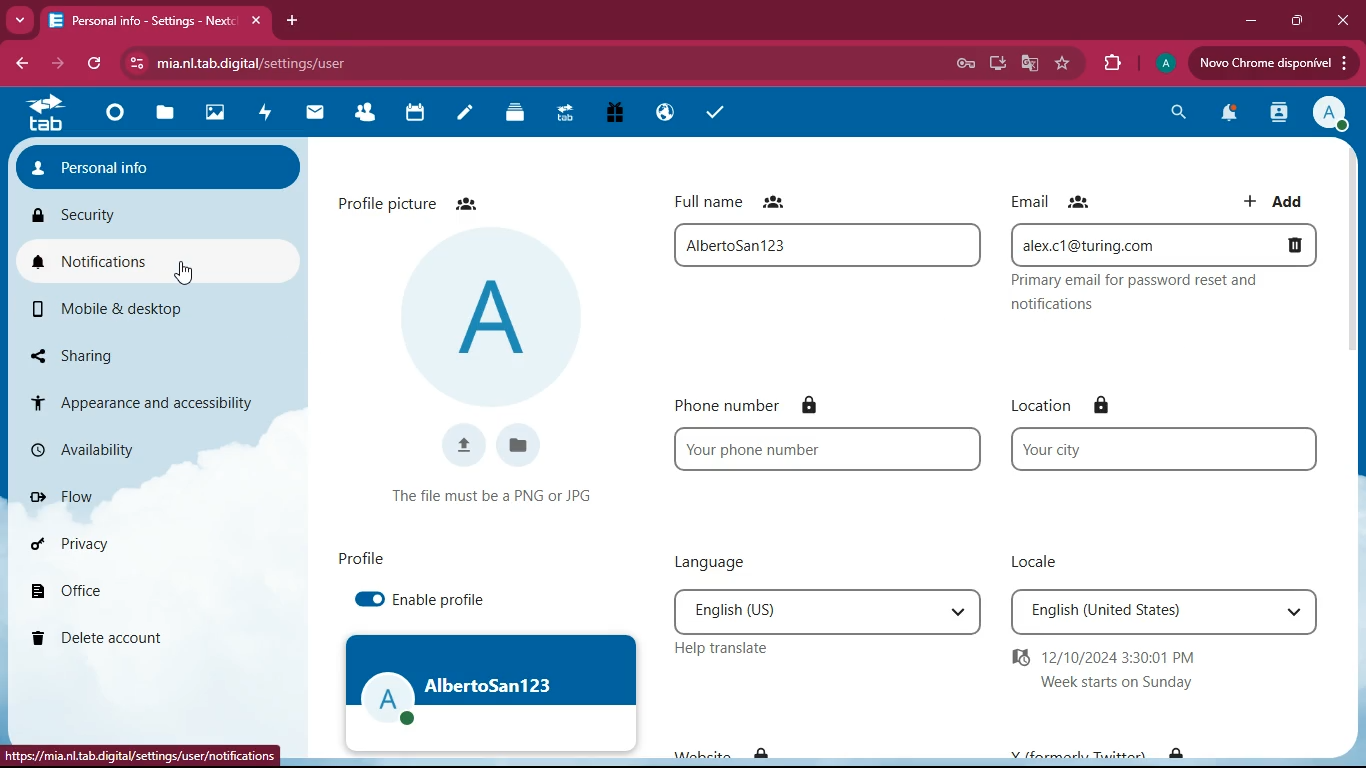  I want to click on gift , so click(622, 114).